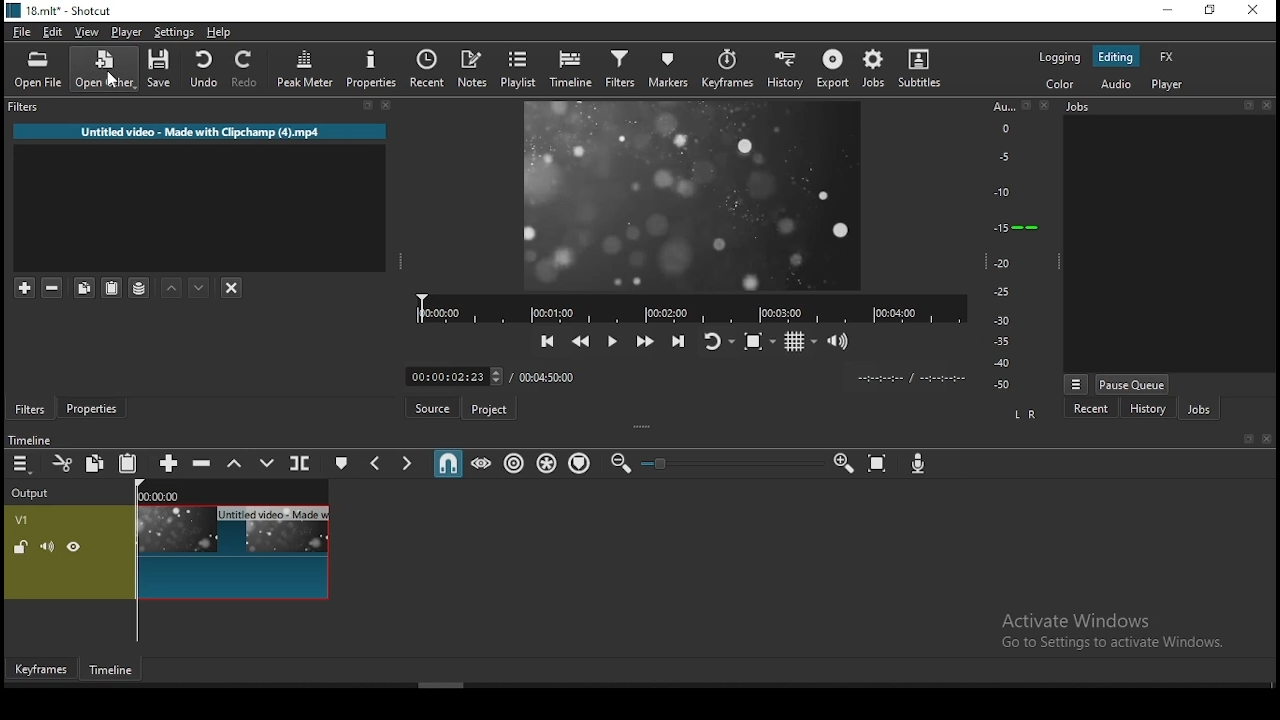 The height and width of the screenshot is (720, 1280). Describe the element at coordinates (1147, 410) in the screenshot. I see `history` at that location.